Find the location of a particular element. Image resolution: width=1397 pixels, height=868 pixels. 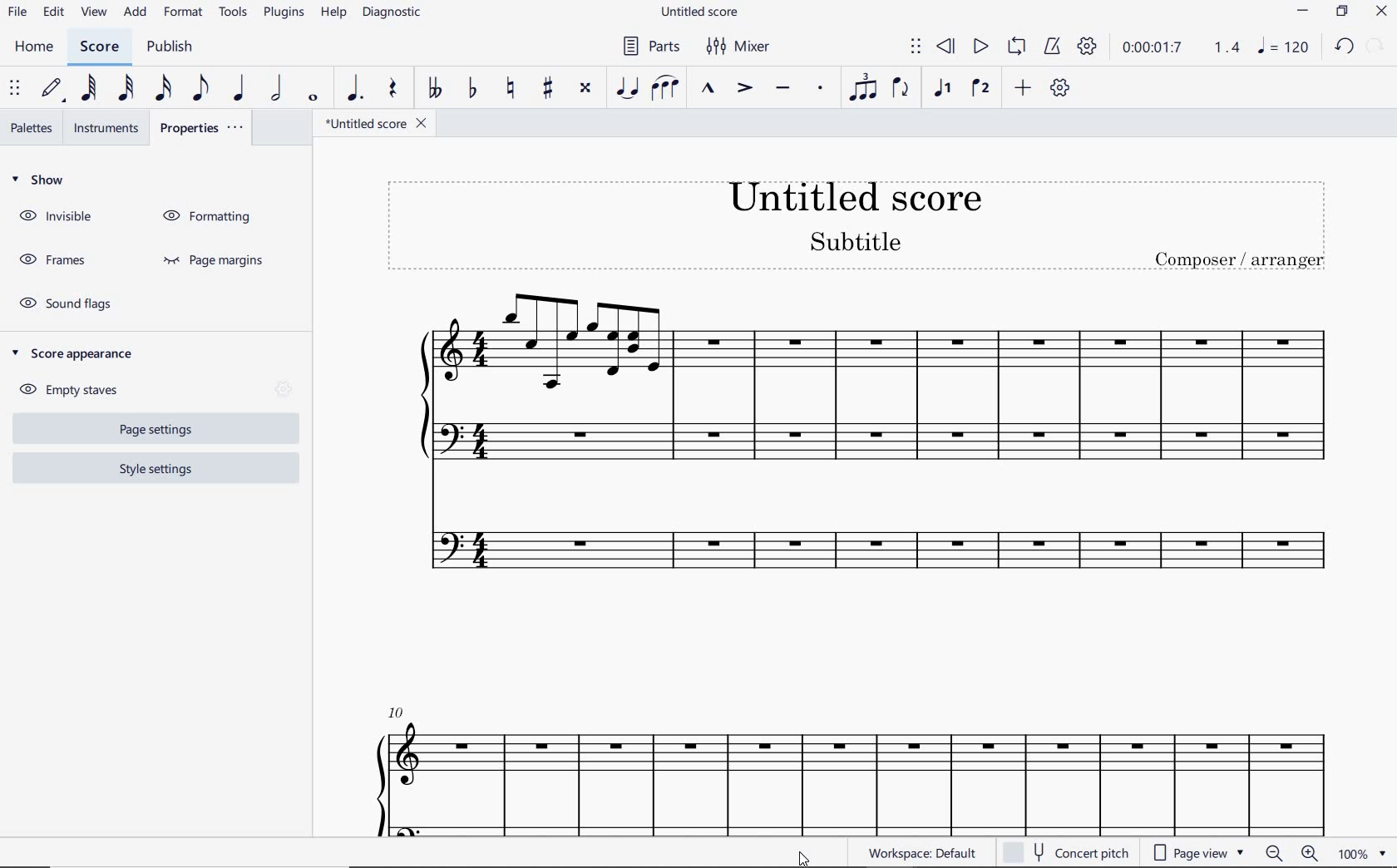

ADD is located at coordinates (1023, 86).